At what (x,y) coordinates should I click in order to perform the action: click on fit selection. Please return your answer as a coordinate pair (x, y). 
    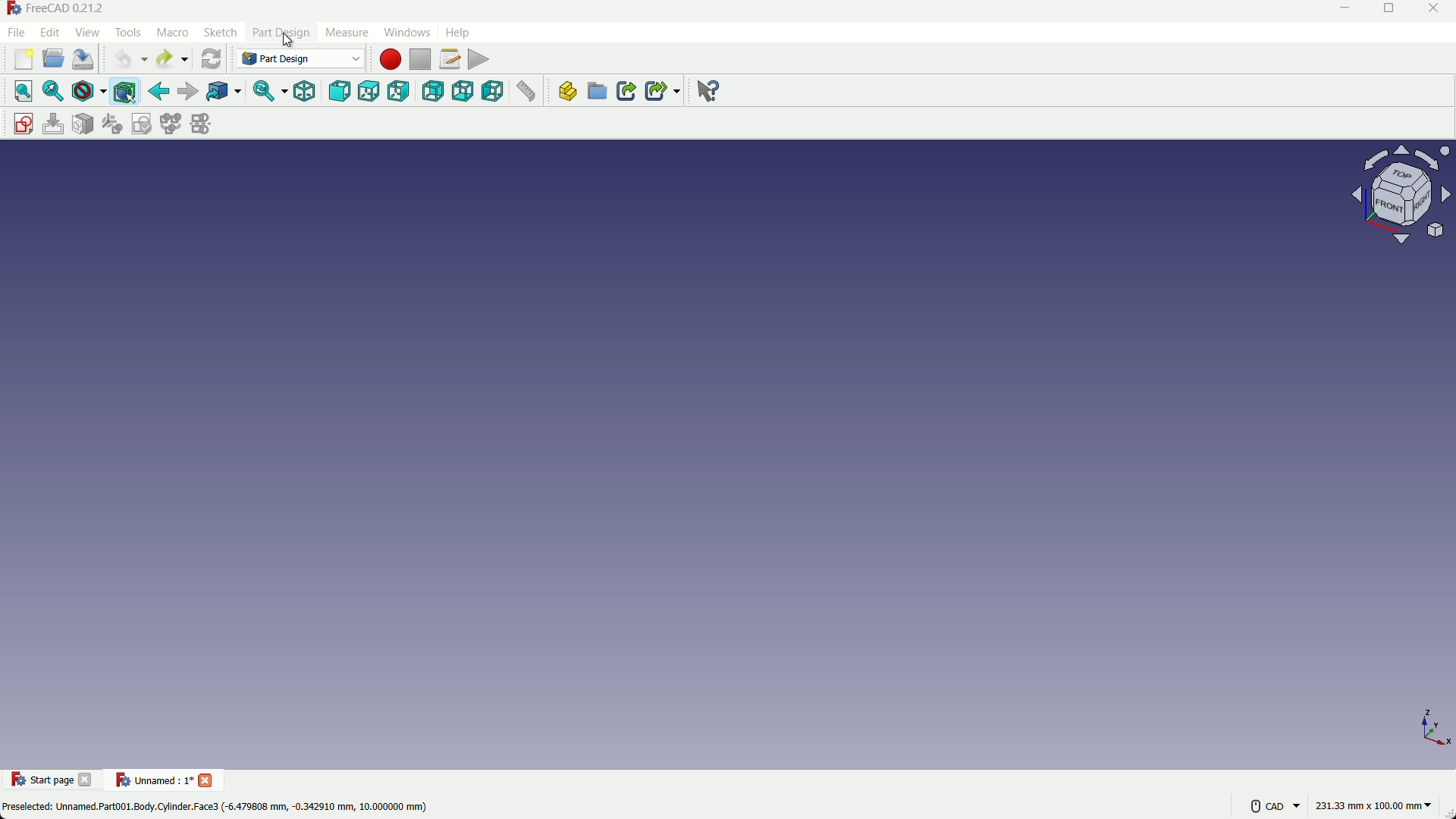
    Looking at the image, I should click on (55, 93).